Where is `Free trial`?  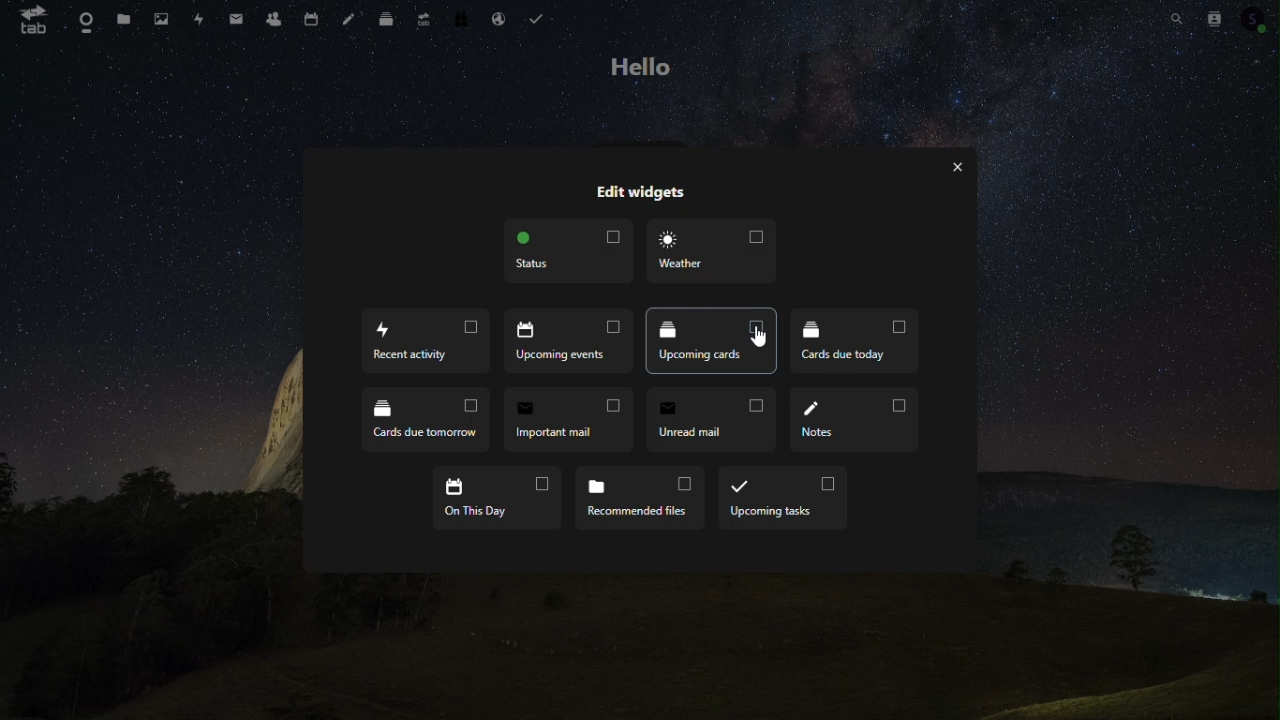
Free trial is located at coordinates (462, 16).